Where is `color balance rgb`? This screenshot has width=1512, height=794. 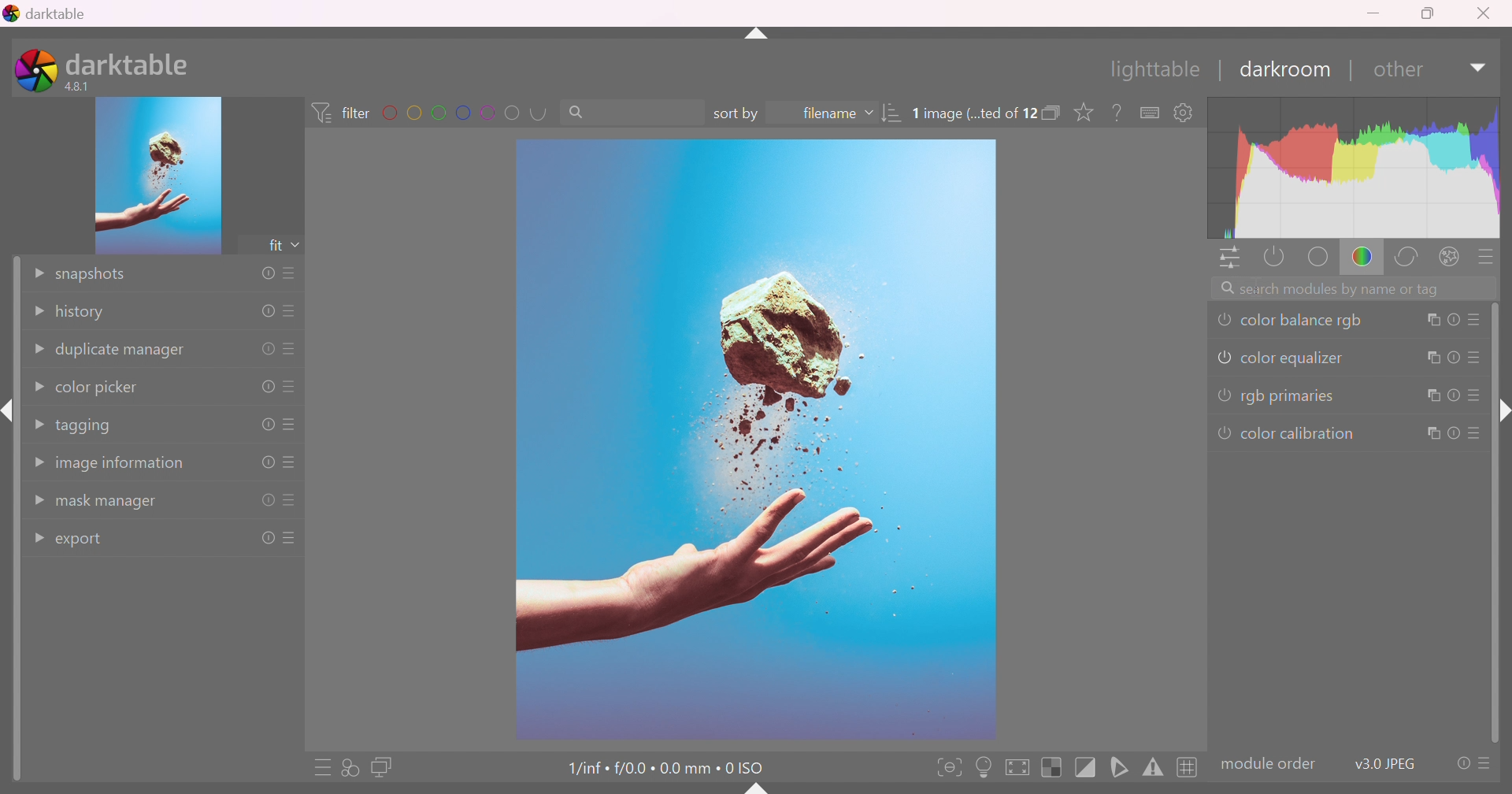
color balance rgb is located at coordinates (1307, 320).